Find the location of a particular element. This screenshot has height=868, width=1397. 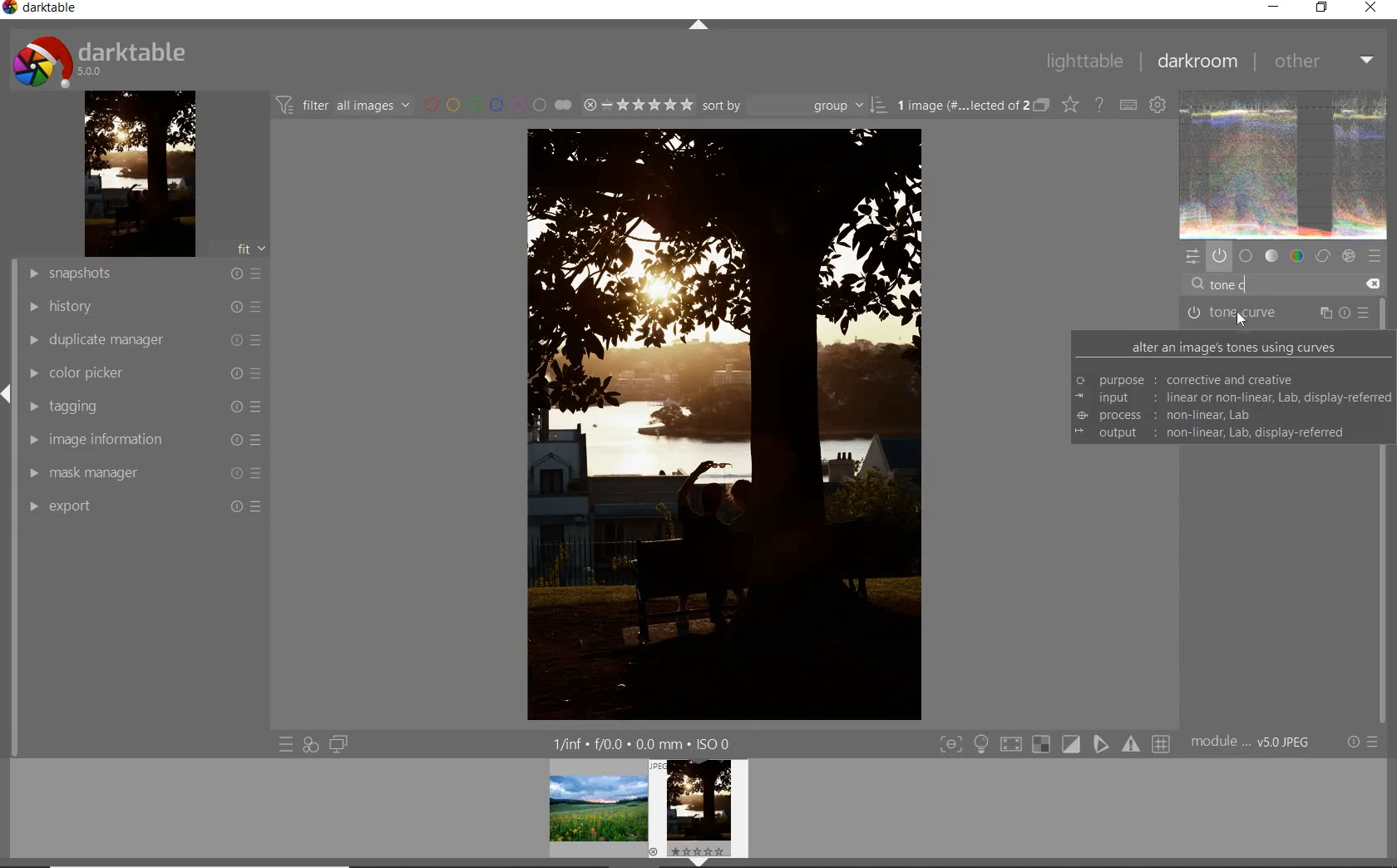

tone is located at coordinates (1272, 254).